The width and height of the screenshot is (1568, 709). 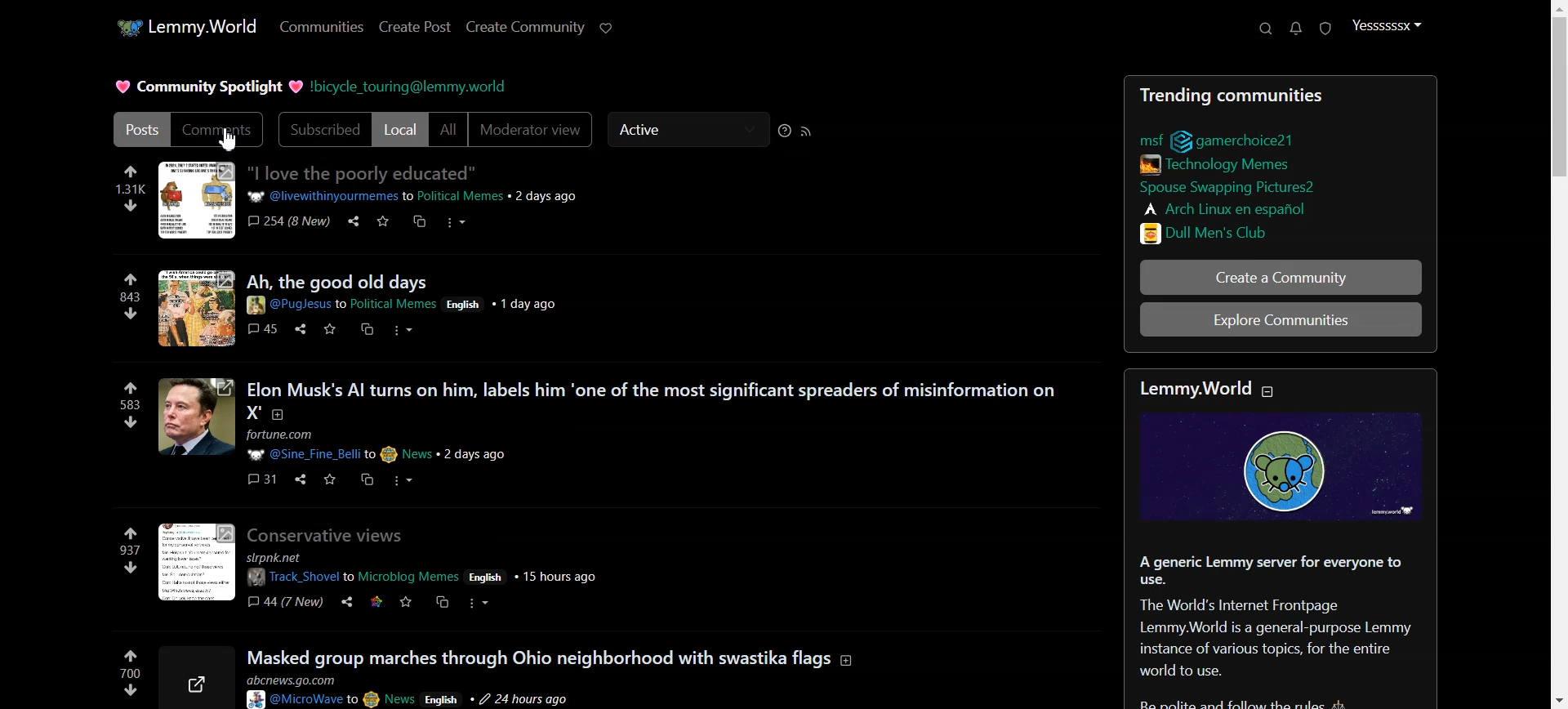 I want to click on Cursor, so click(x=230, y=140).